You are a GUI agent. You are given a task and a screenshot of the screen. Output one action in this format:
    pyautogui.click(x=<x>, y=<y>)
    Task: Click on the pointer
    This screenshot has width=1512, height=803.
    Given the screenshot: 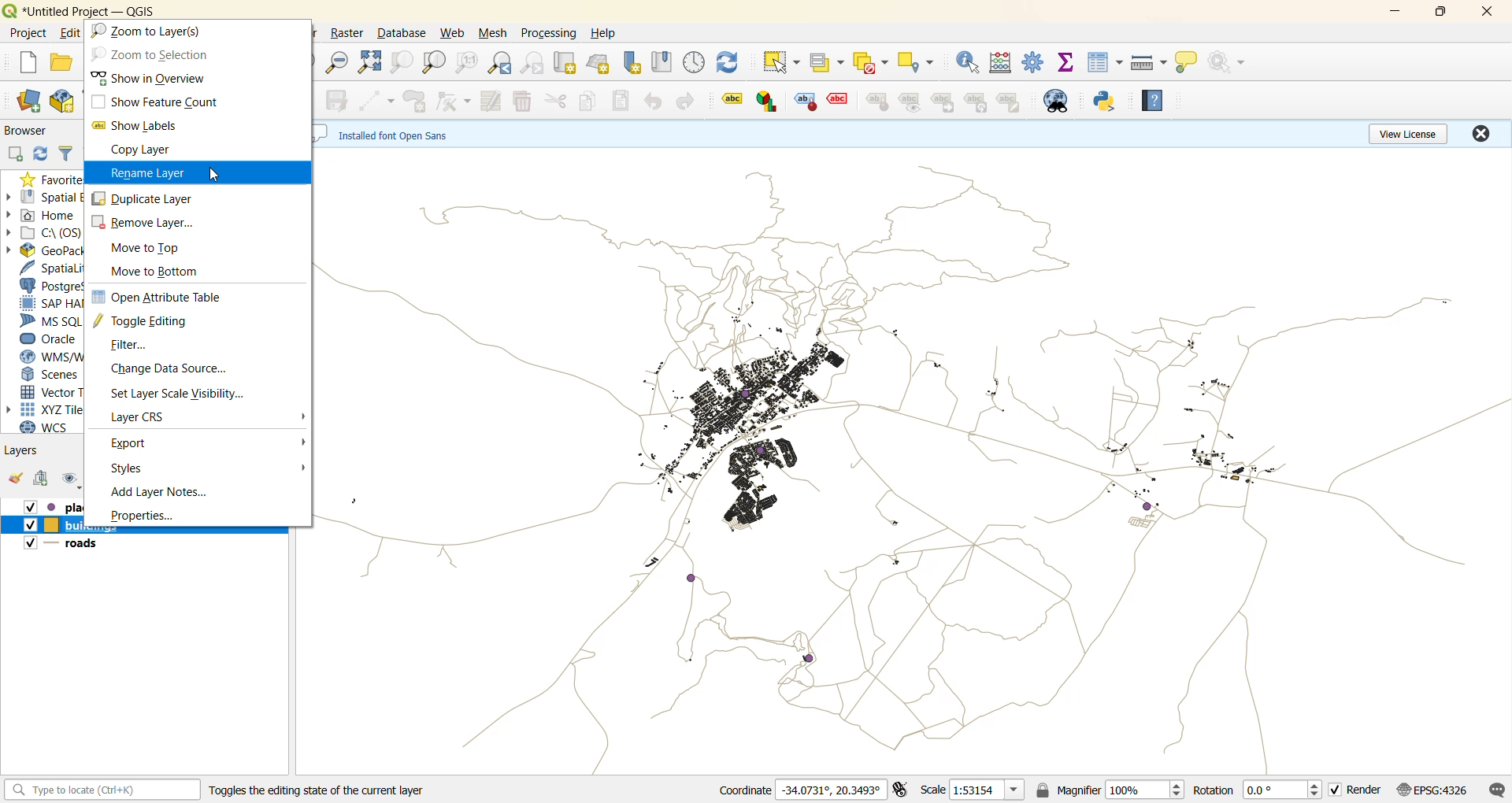 What is the action you would take?
    pyautogui.click(x=225, y=179)
    